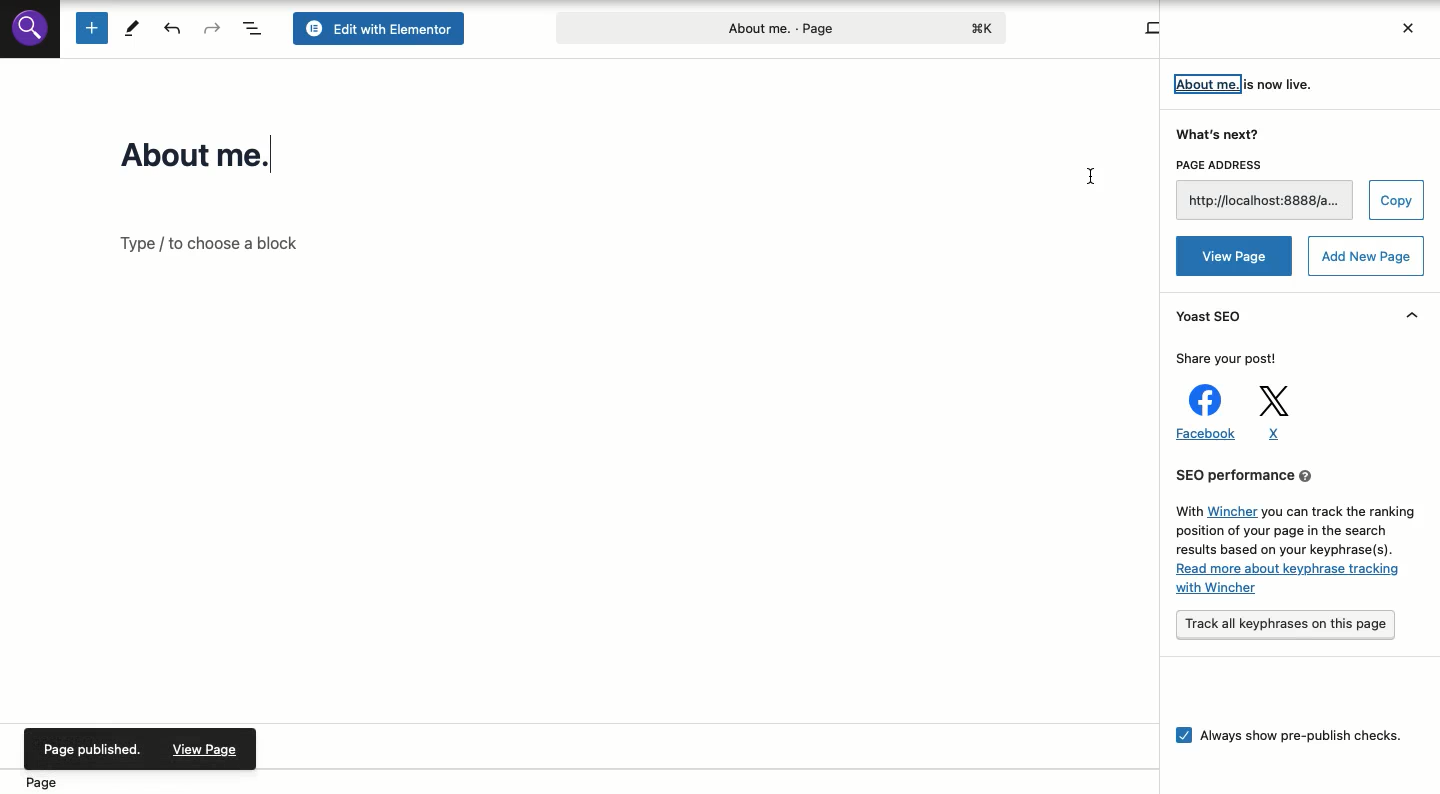 The height and width of the screenshot is (794, 1440). I want to click on Close, so click(1406, 28).